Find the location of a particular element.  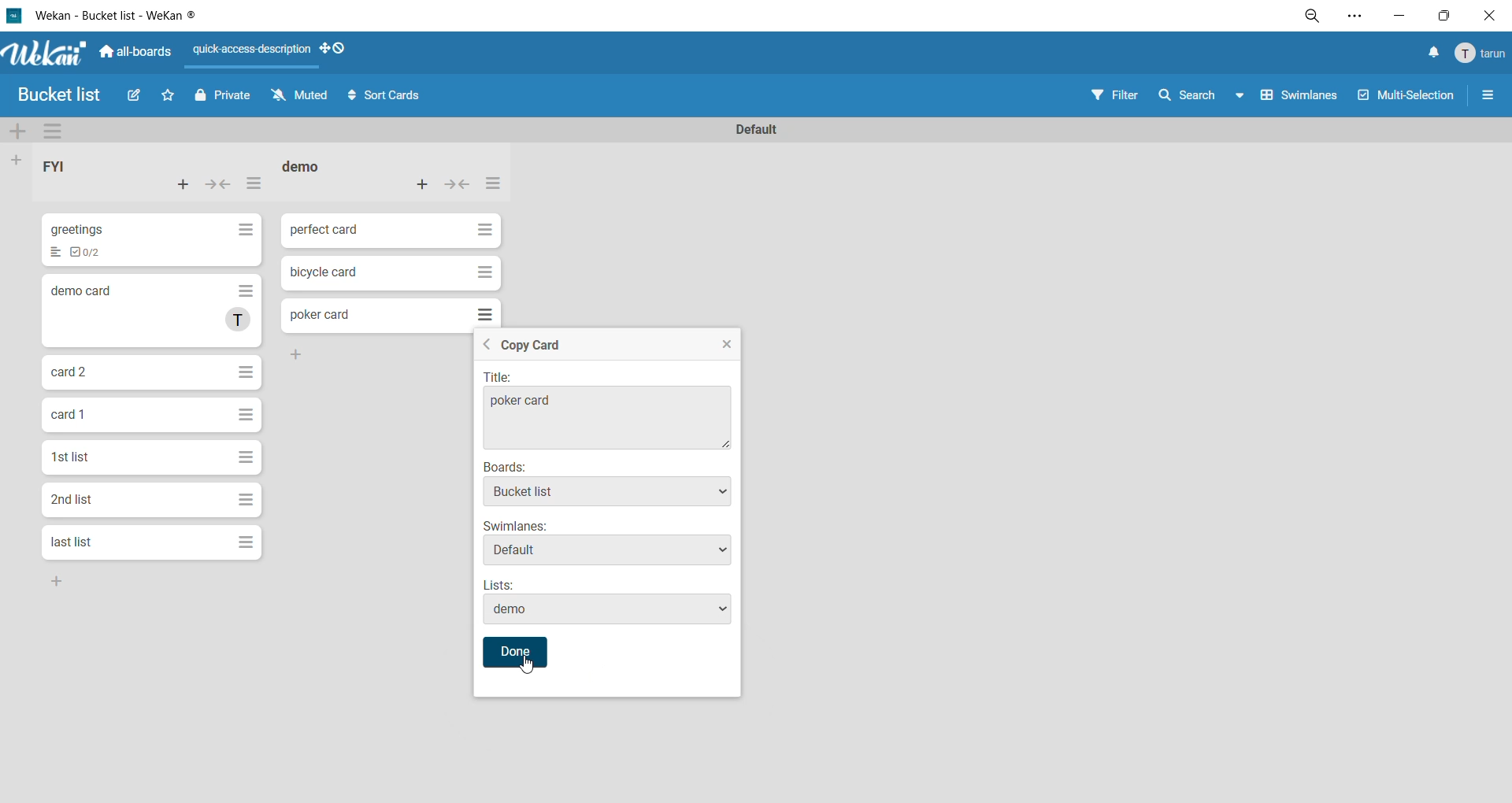

Bucket list is located at coordinates (604, 494).